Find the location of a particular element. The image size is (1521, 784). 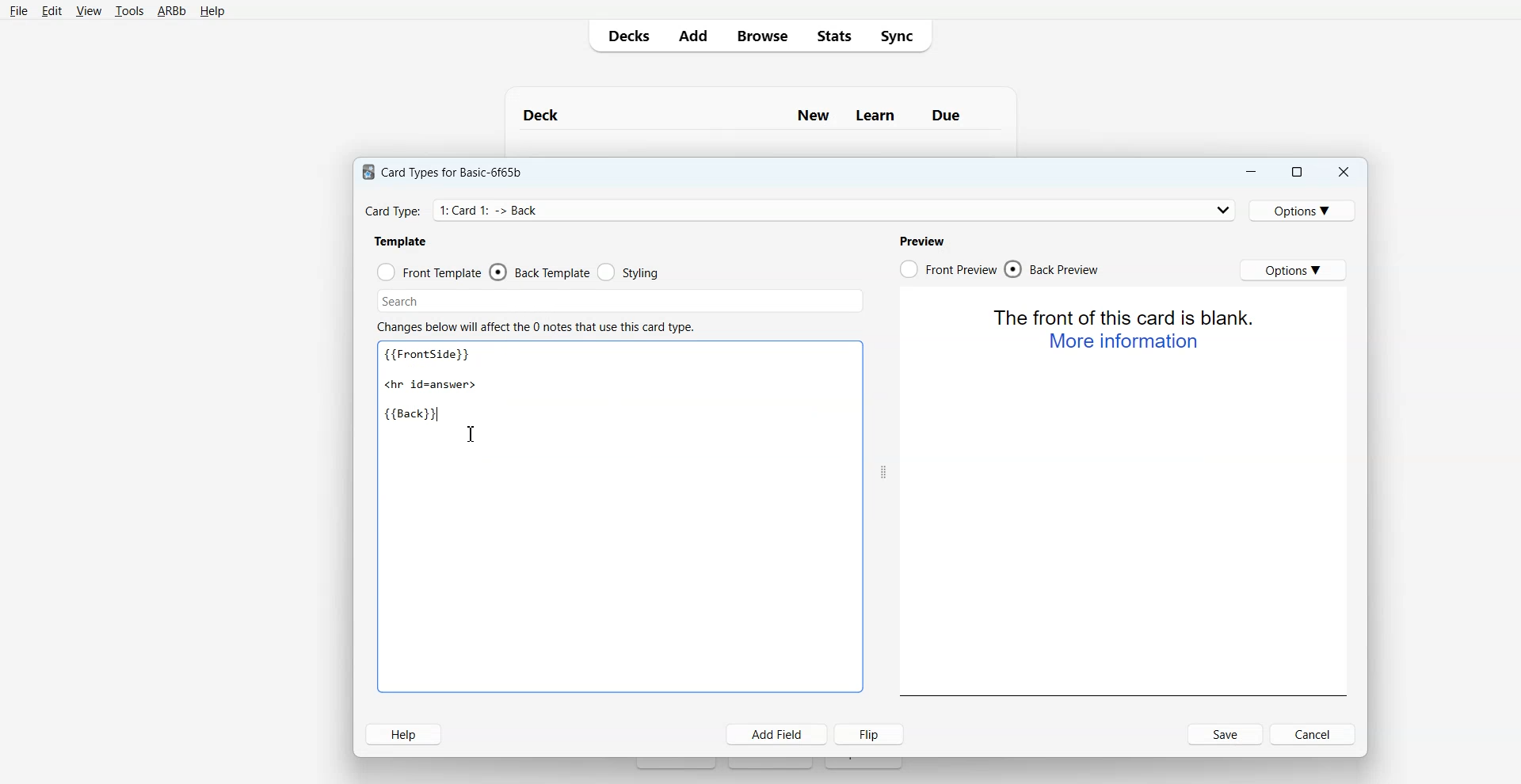

Text 3 is located at coordinates (537, 326).